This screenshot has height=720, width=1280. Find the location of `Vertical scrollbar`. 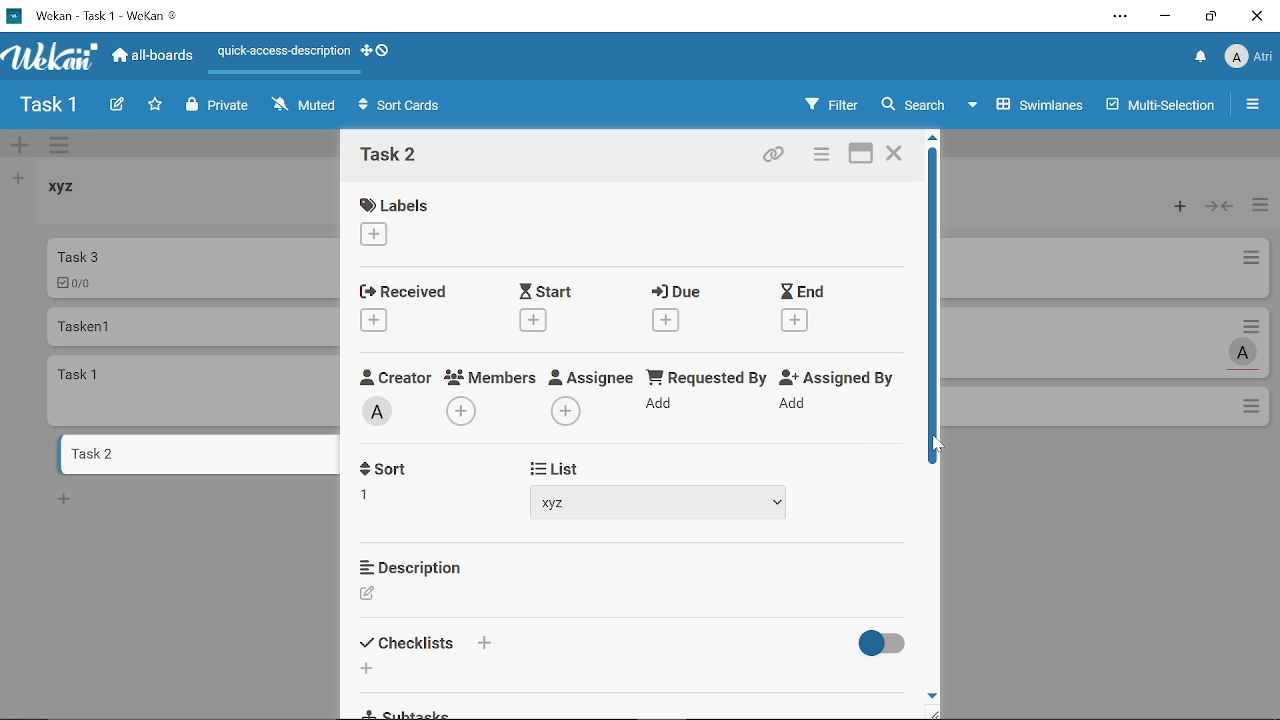

Vertical scrollbar is located at coordinates (935, 307).